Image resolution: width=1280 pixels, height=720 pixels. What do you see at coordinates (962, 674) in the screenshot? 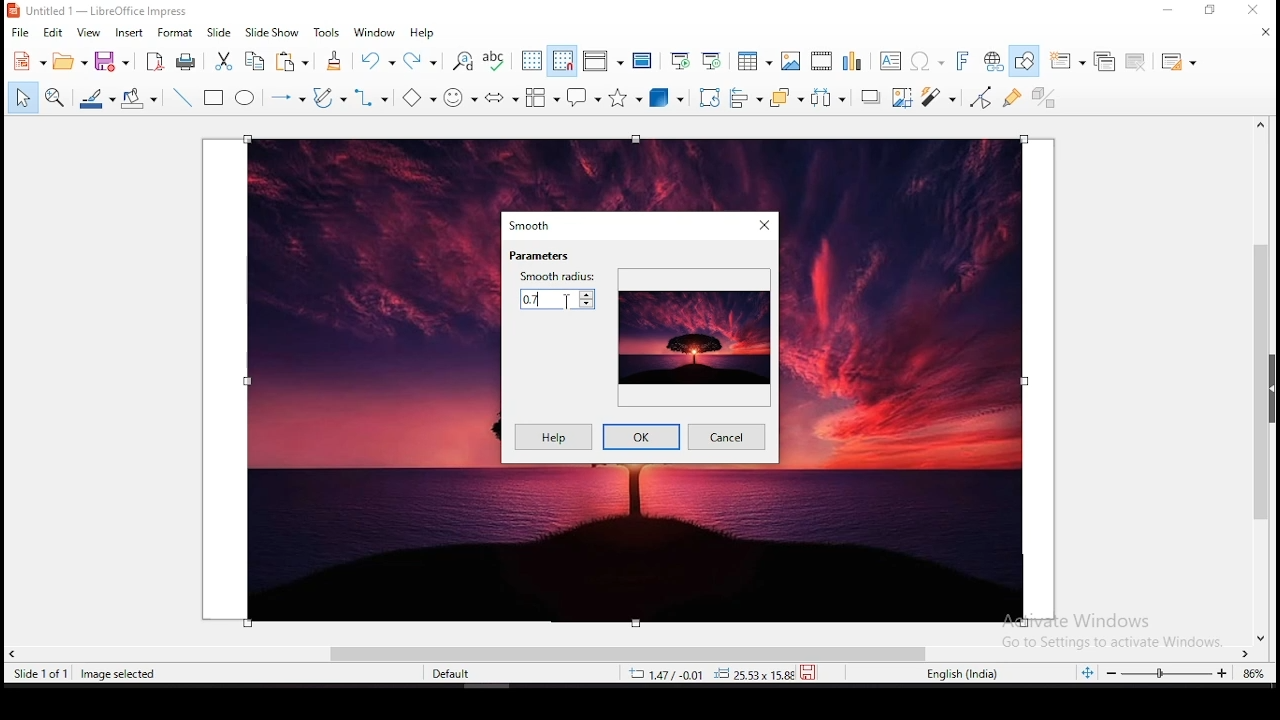
I see `english (india)` at bounding box center [962, 674].